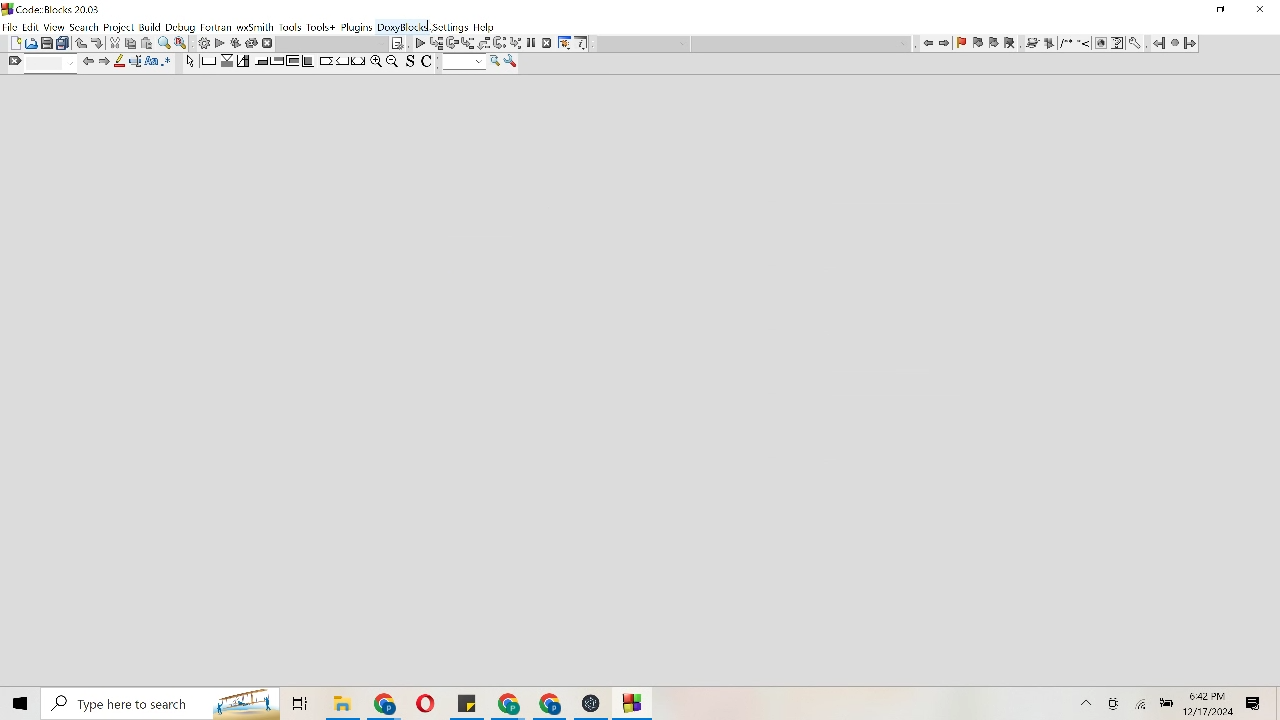  What do you see at coordinates (945, 43) in the screenshot?
I see `move right` at bounding box center [945, 43].